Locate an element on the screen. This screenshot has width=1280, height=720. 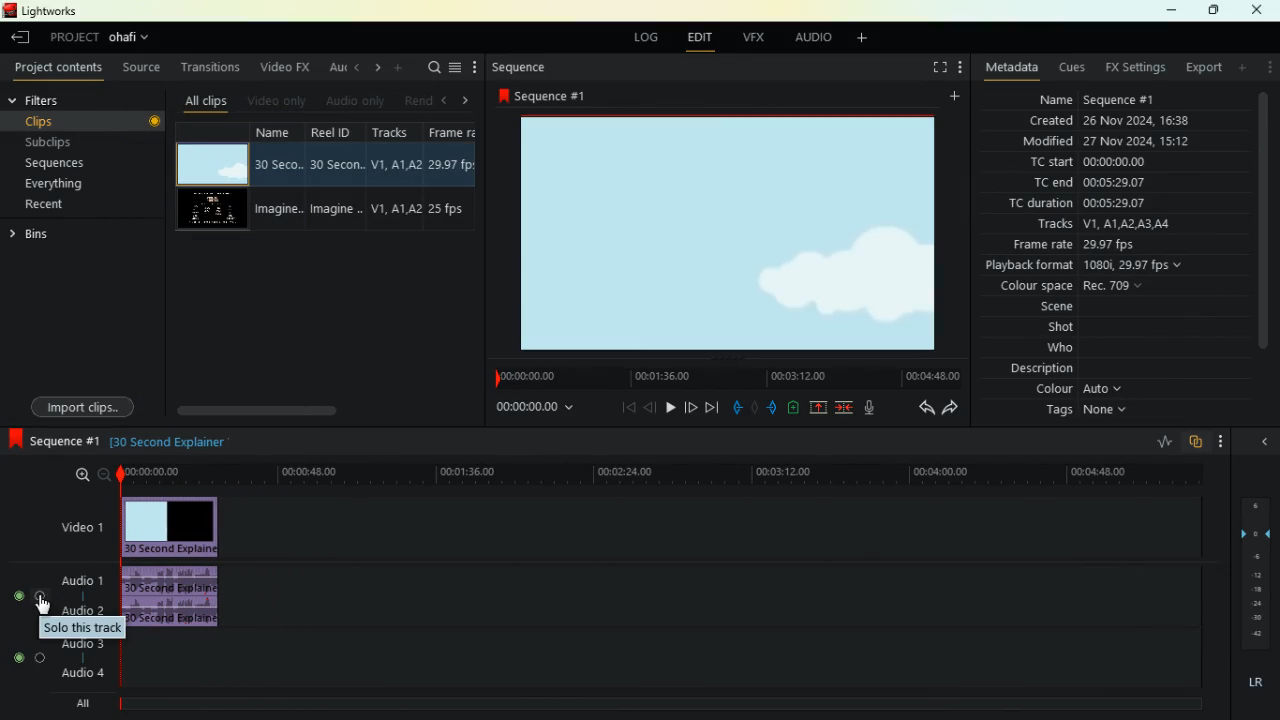
tc end is located at coordinates (1090, 182).